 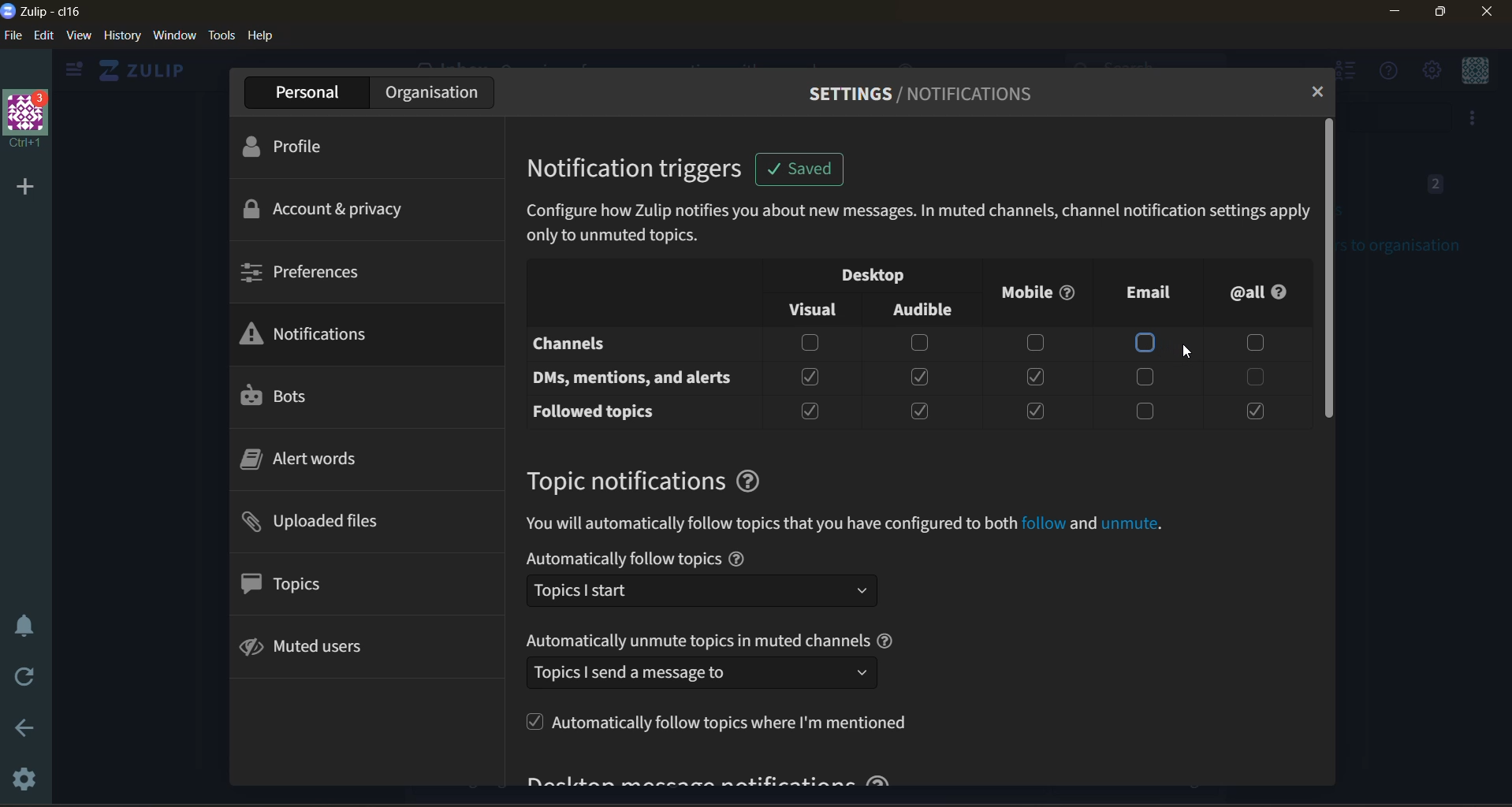 What do you see at coordinates (602, 412) in the screenshot?
I see `followed topics` at bounding box center [602, 412].